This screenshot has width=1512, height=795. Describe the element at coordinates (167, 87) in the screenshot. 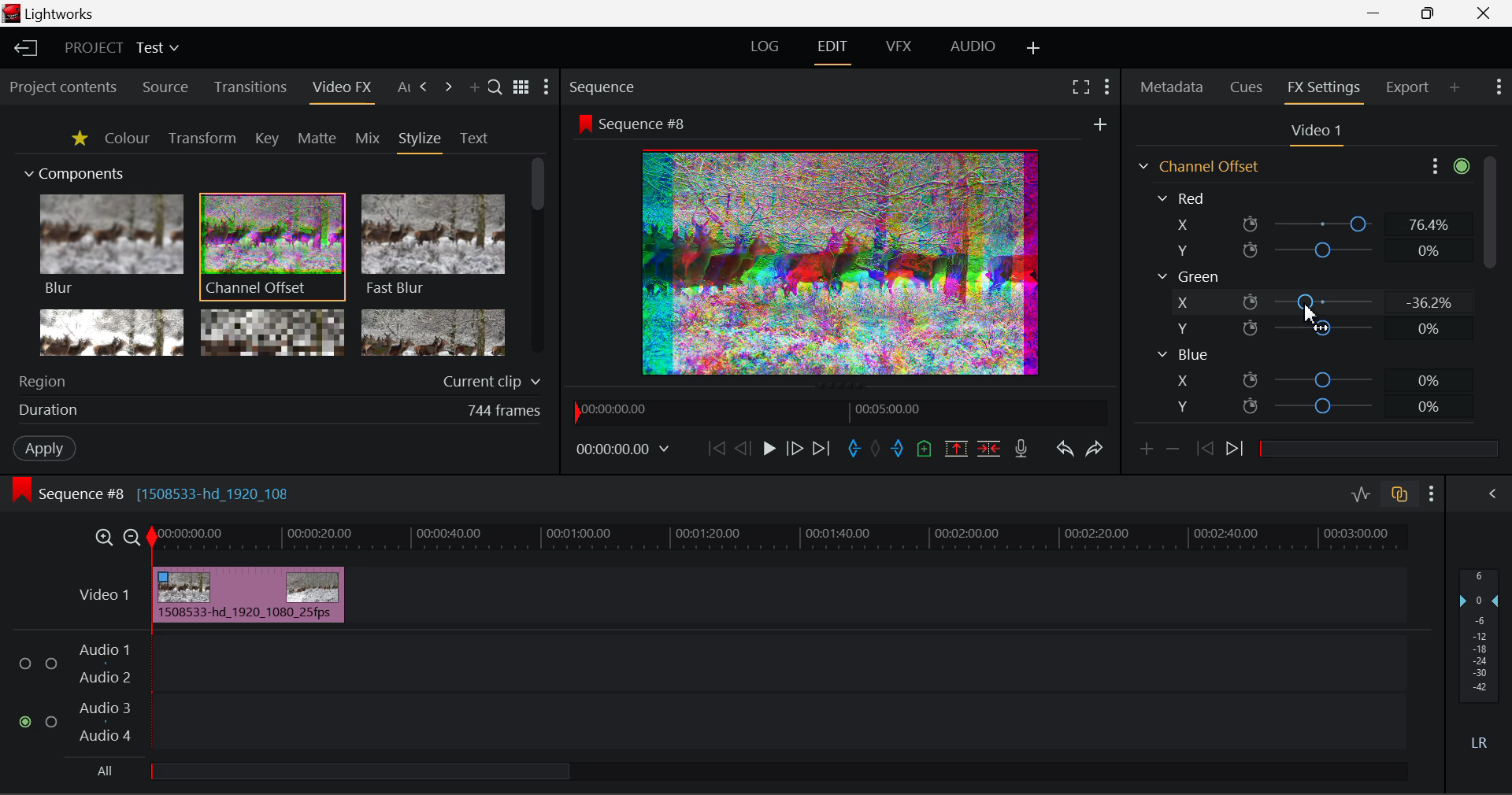

I see `Source` at that location.